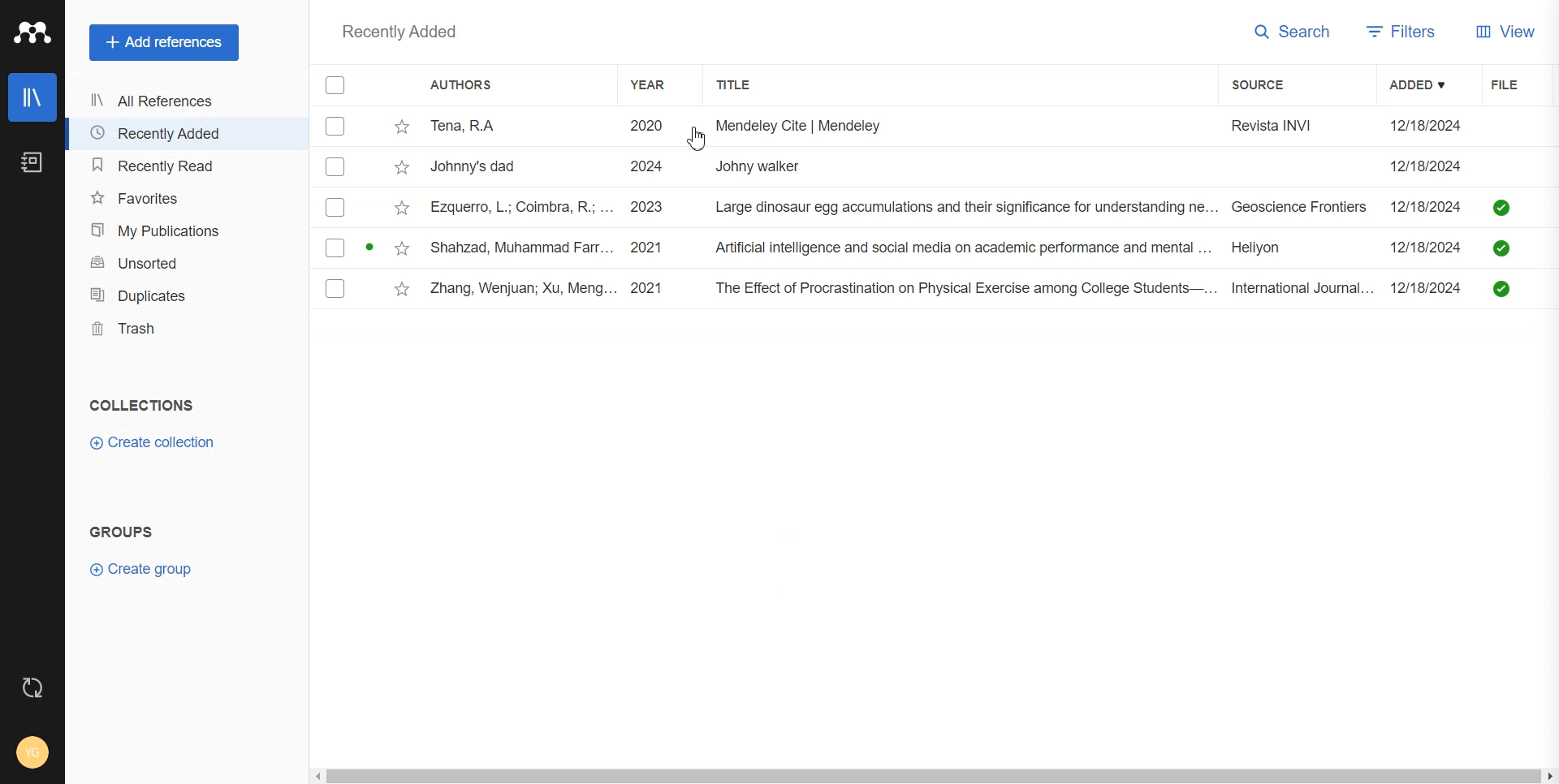 The height and width of the screenshot is (784, 1559). Describe the element at coordinates (700, 139) in the screenshot. I see `cursor` at that location.